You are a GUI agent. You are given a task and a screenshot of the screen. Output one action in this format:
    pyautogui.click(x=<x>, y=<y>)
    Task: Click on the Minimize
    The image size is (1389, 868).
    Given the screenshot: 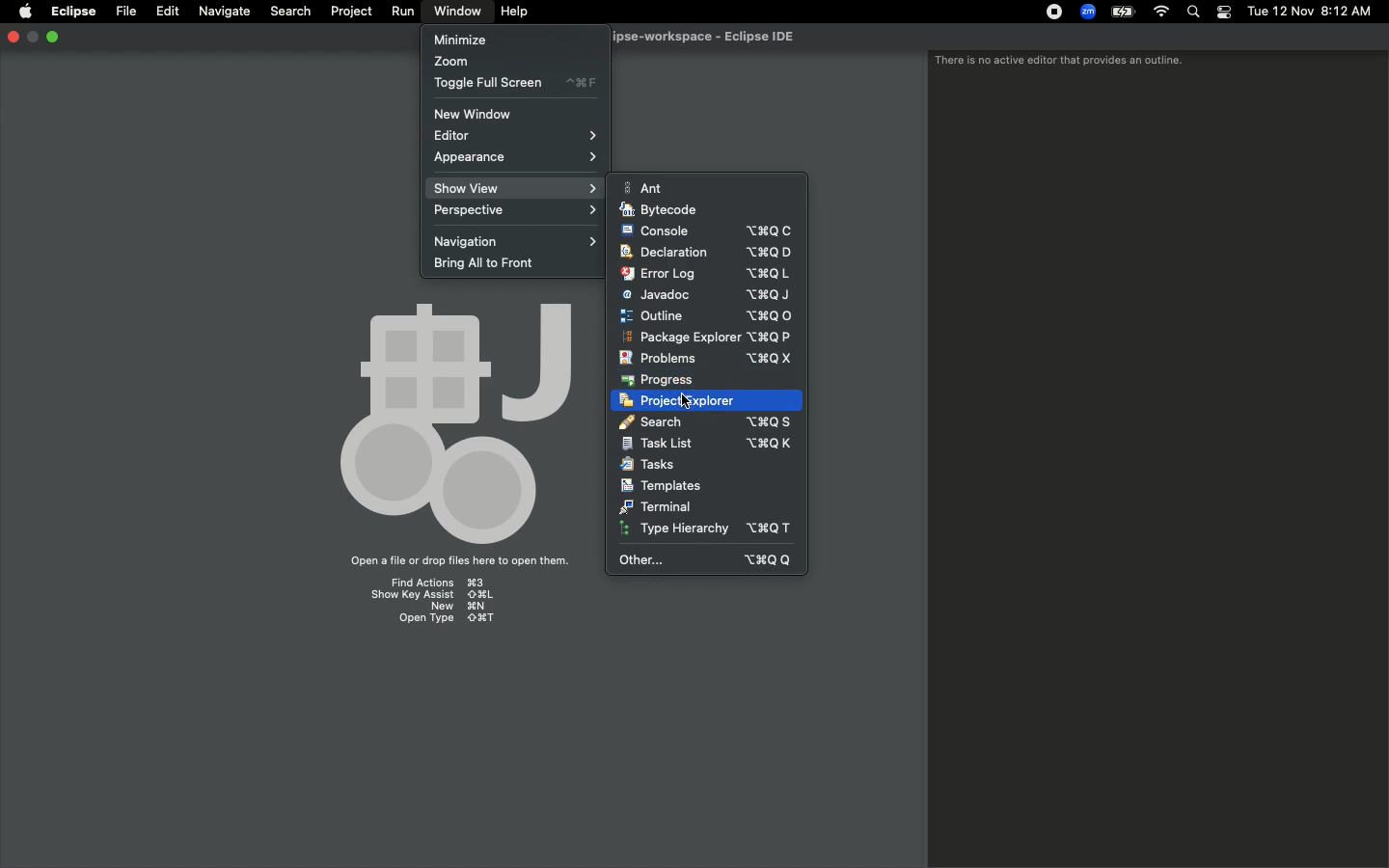 What is the action you would take?
    pyautogui.click(x=33, y=38)
    